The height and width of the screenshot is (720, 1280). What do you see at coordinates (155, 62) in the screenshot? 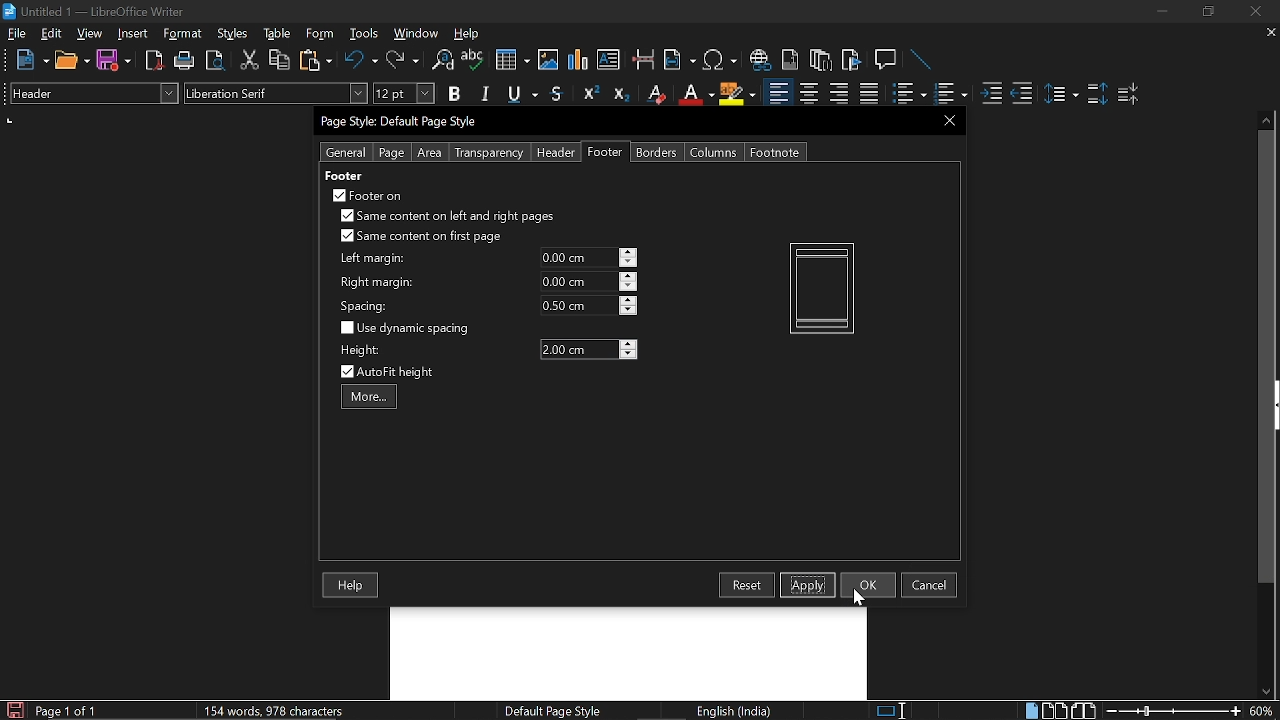
I see `export as PDF` at bounding box center [155, 62].